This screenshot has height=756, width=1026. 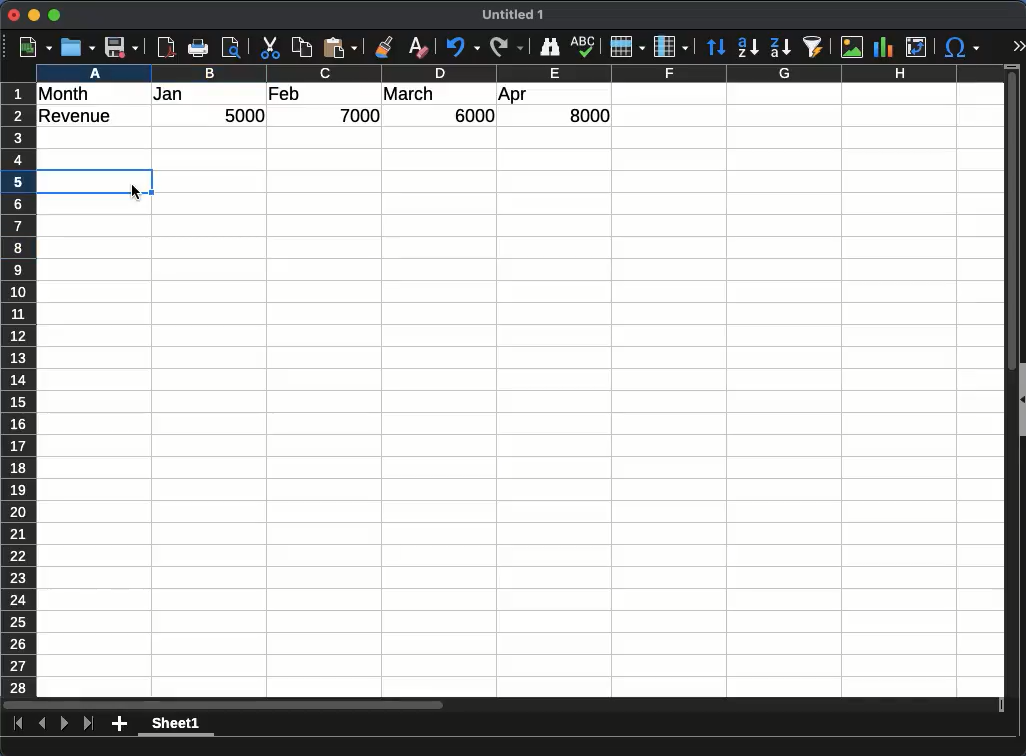 I want to click on clone formatting, so click(x=383, y=47).